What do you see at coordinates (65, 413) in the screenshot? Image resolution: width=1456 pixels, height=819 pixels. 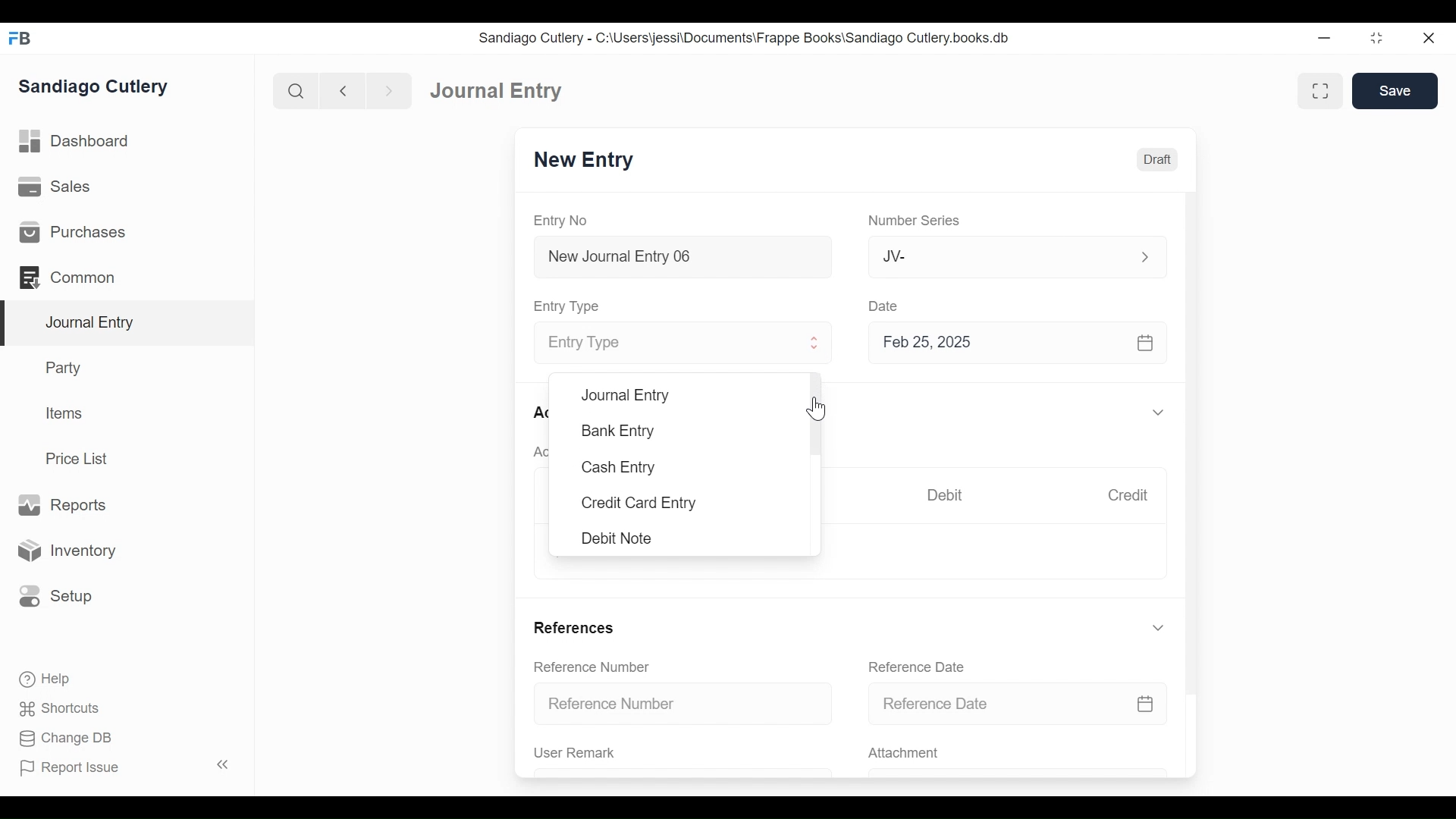 I see `Items` at bounding box center [65, 413].